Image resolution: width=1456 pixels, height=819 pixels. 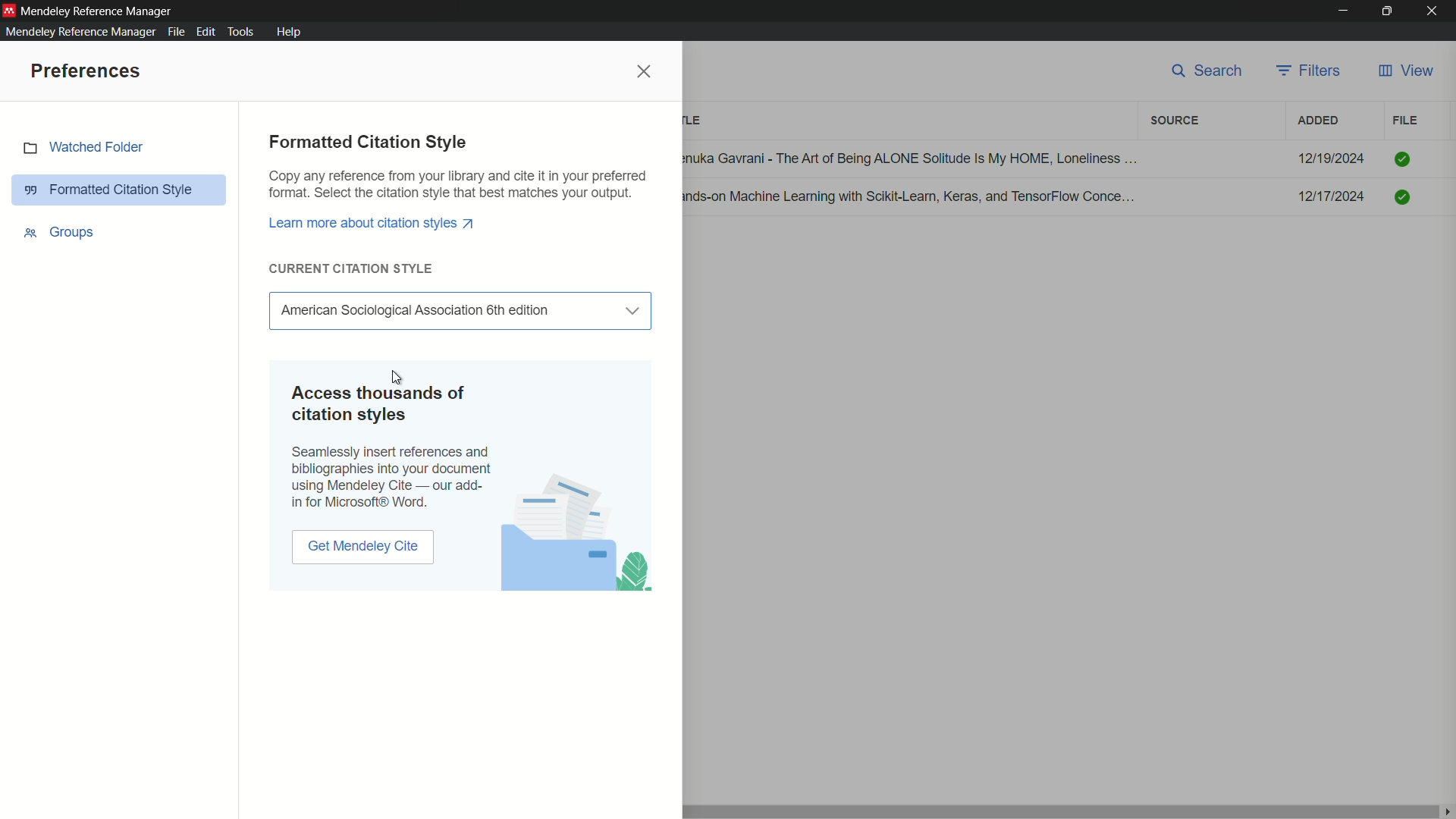 I want to click on preferences, so click(x=87, y=72).